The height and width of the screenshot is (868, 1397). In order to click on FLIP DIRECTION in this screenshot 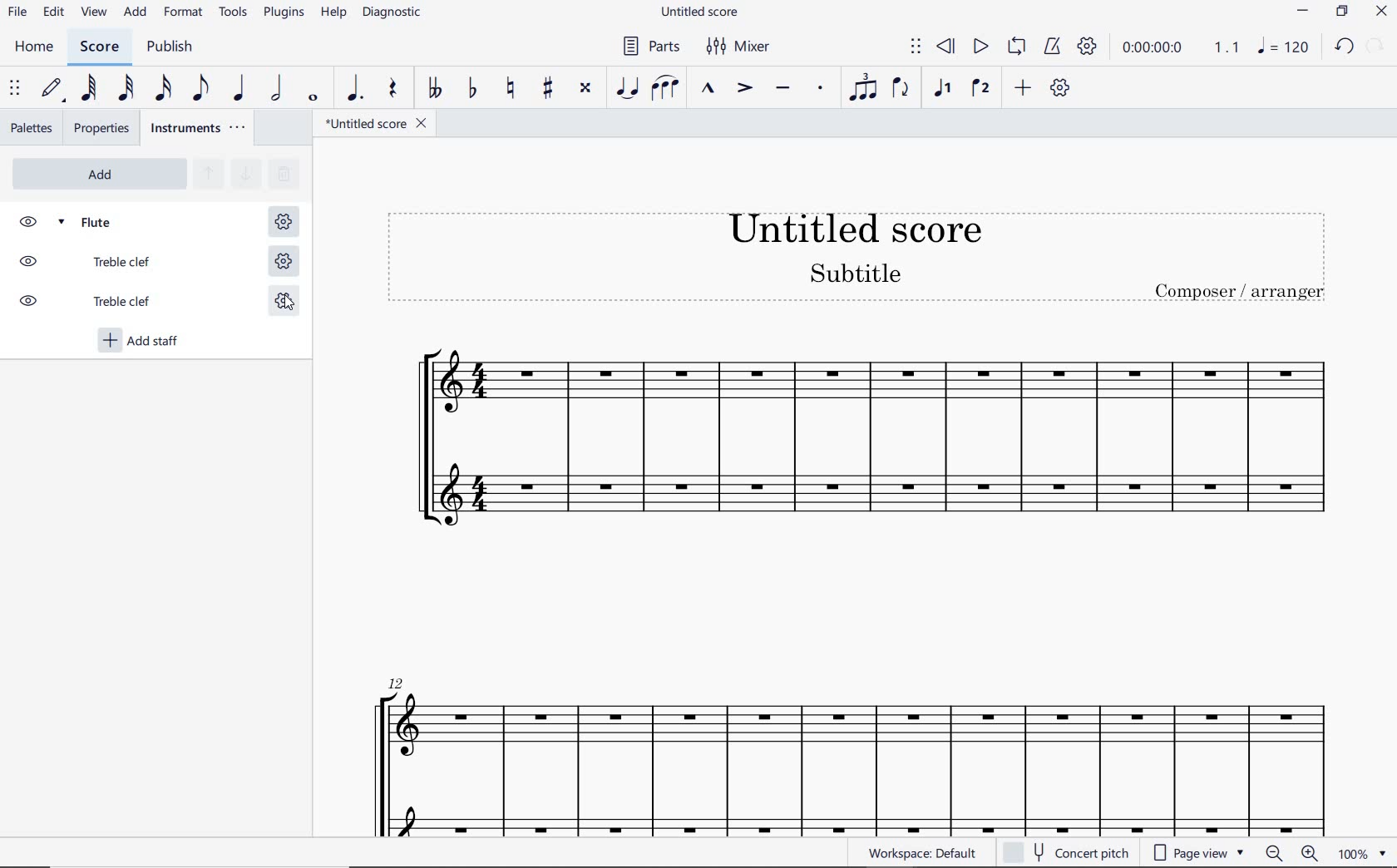, I will do `click(901, 91)`.